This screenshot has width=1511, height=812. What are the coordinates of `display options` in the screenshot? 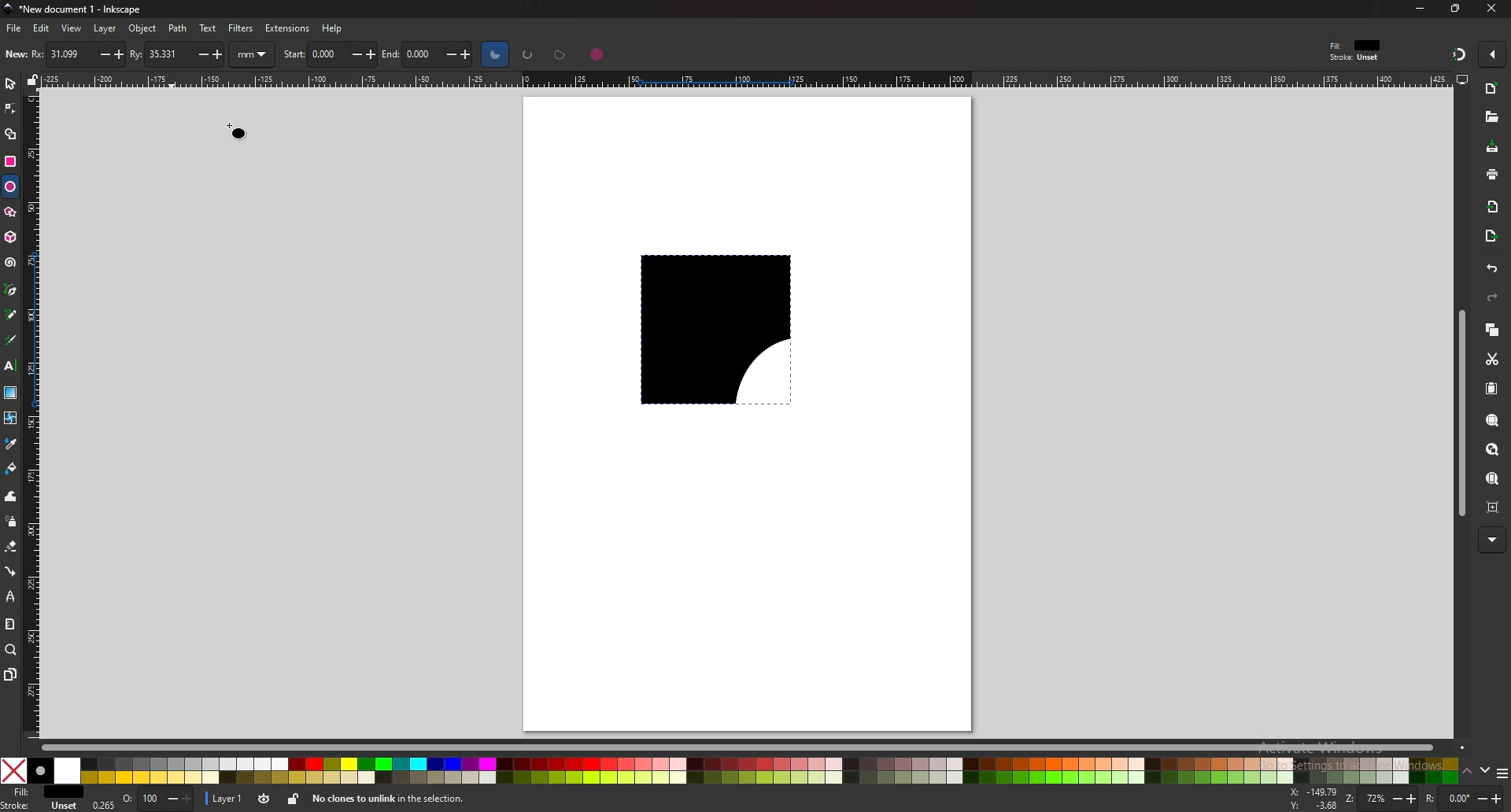 It's located at (1461, 79).